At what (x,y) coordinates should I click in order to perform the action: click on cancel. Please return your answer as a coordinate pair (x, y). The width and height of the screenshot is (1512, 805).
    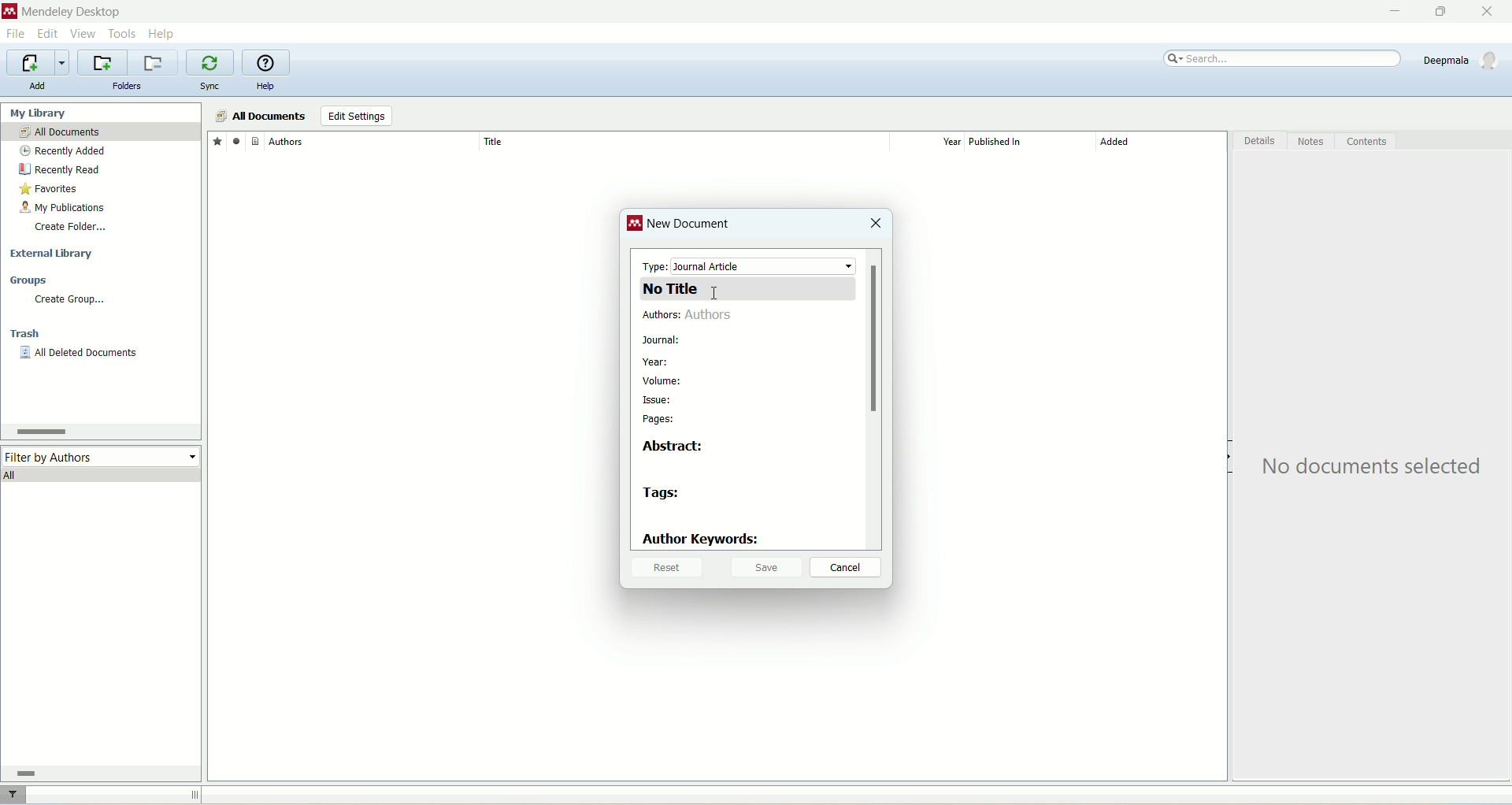
    Looking at the image, I should click on (847, 568).